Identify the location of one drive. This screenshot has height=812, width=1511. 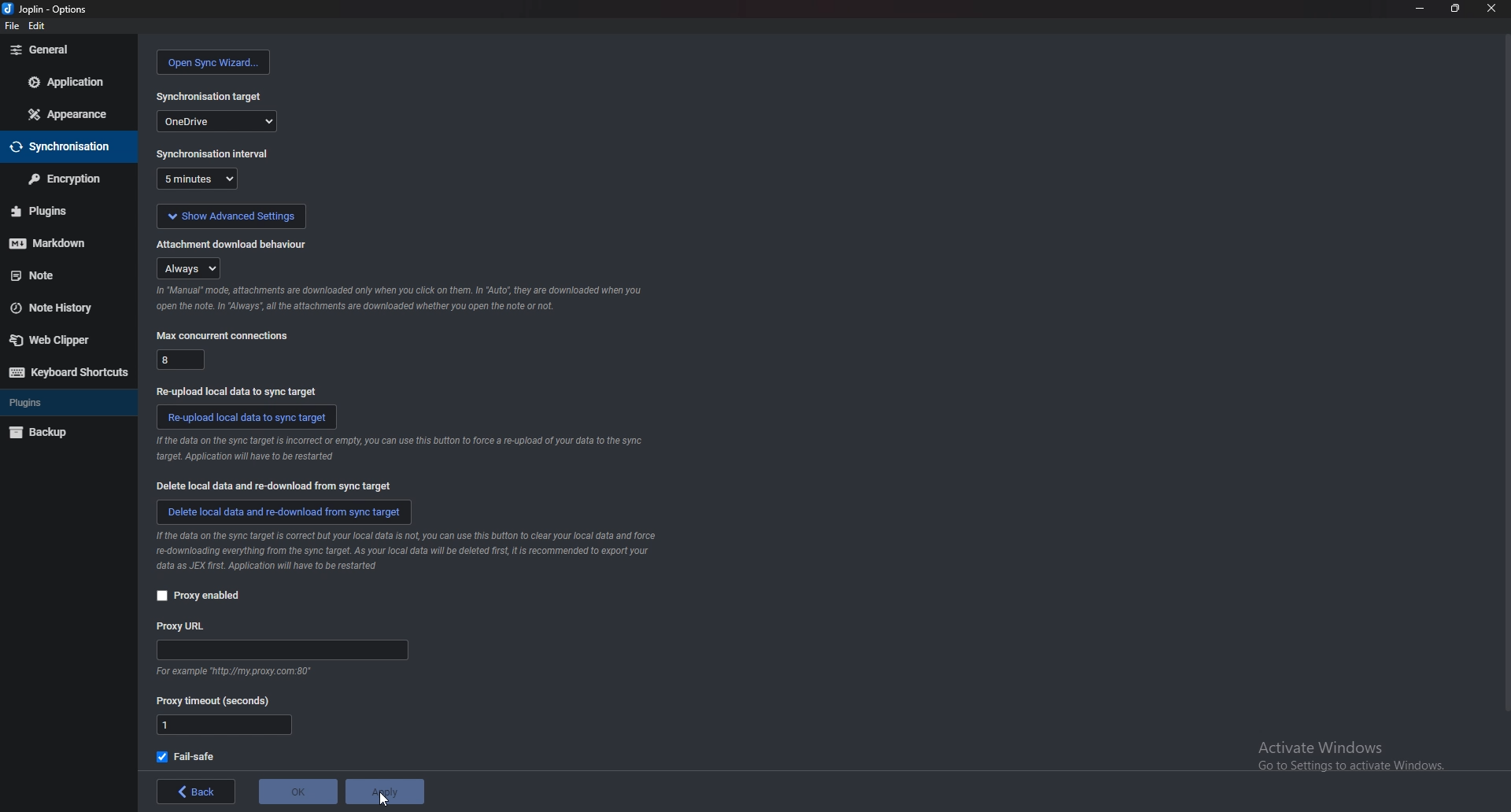
(217, 121).